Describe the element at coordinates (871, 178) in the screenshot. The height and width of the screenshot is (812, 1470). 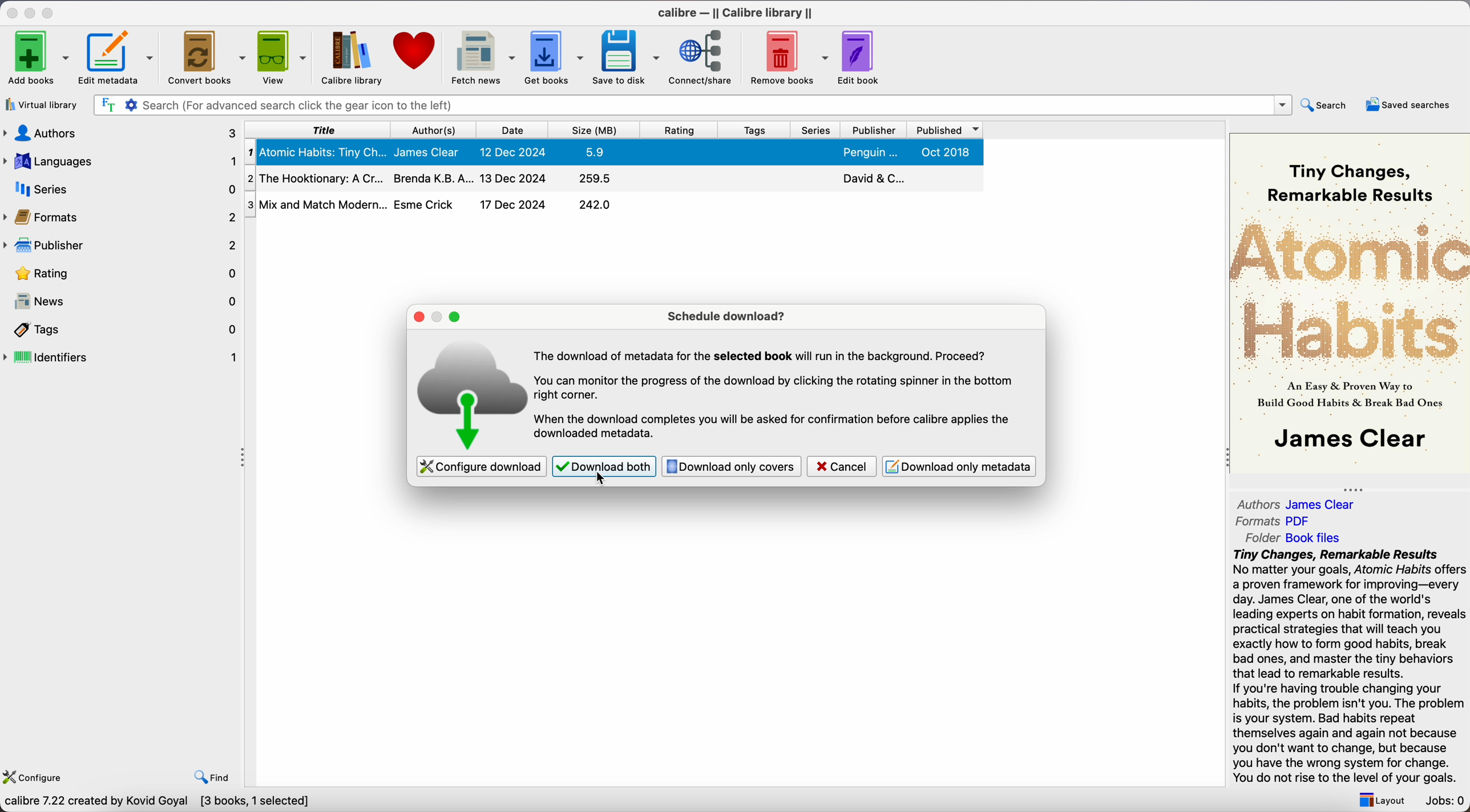
I see `David & C...` at that location.